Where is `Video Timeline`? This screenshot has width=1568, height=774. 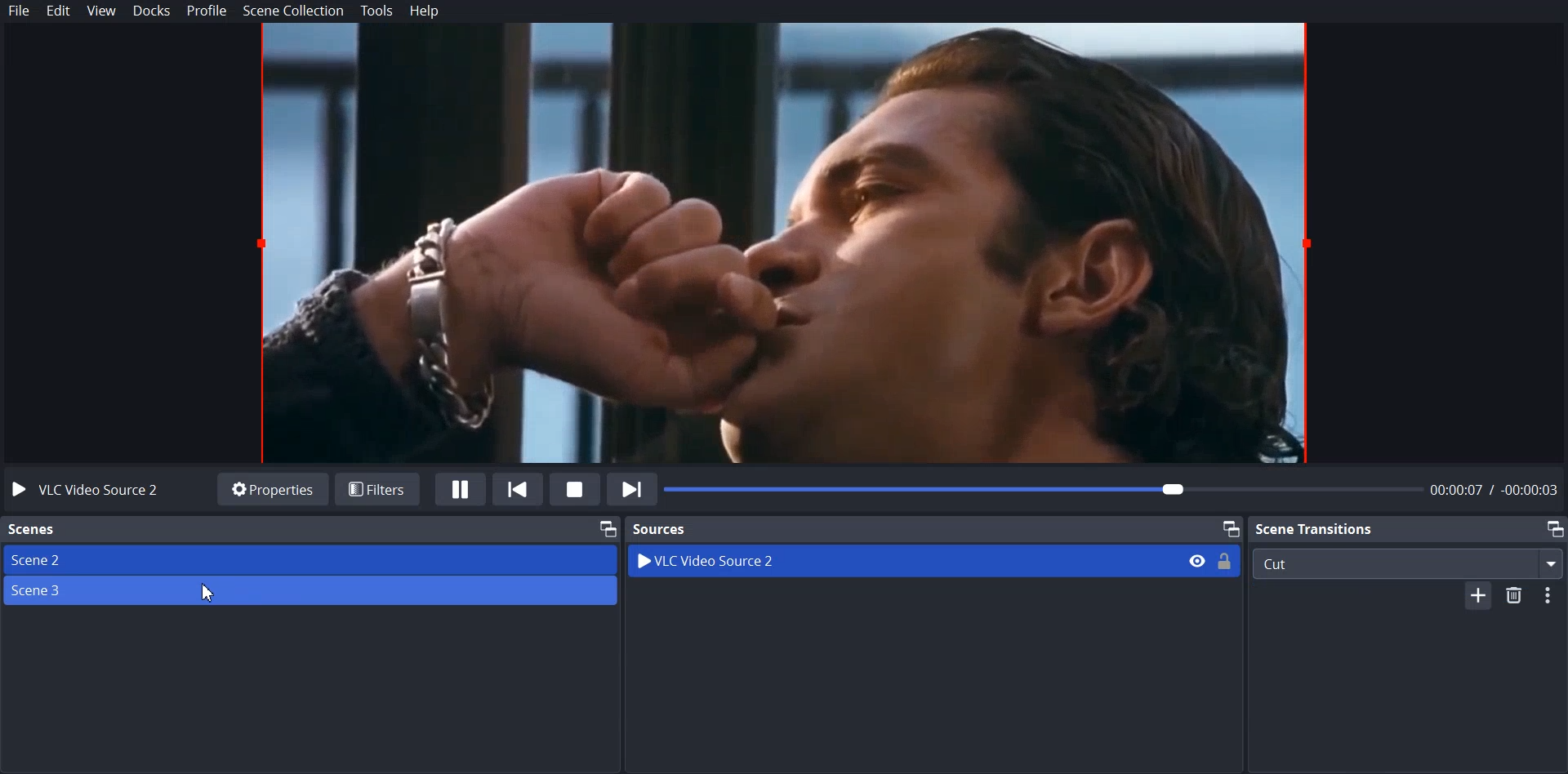
Video Timeline is located at coordinates (1115, 491).